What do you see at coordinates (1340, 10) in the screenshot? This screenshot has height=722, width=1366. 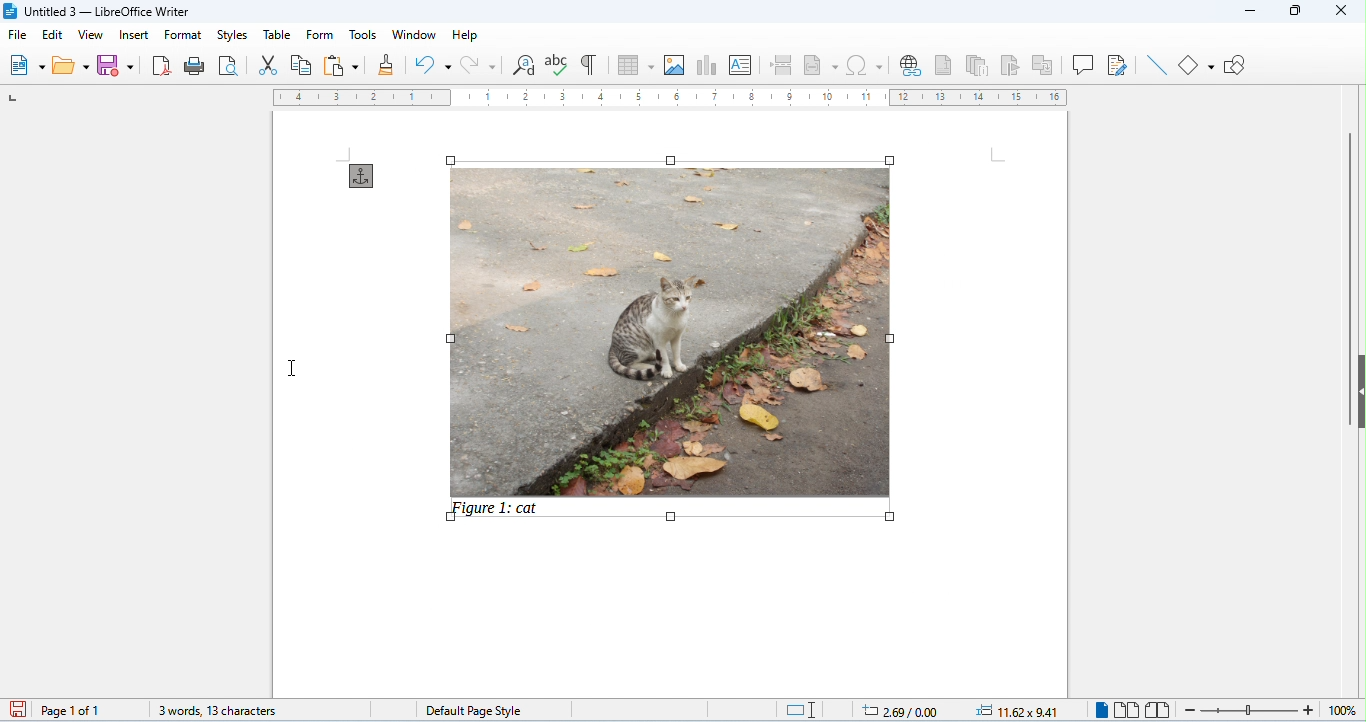 I see `close` at bounding box center [1340, 10].